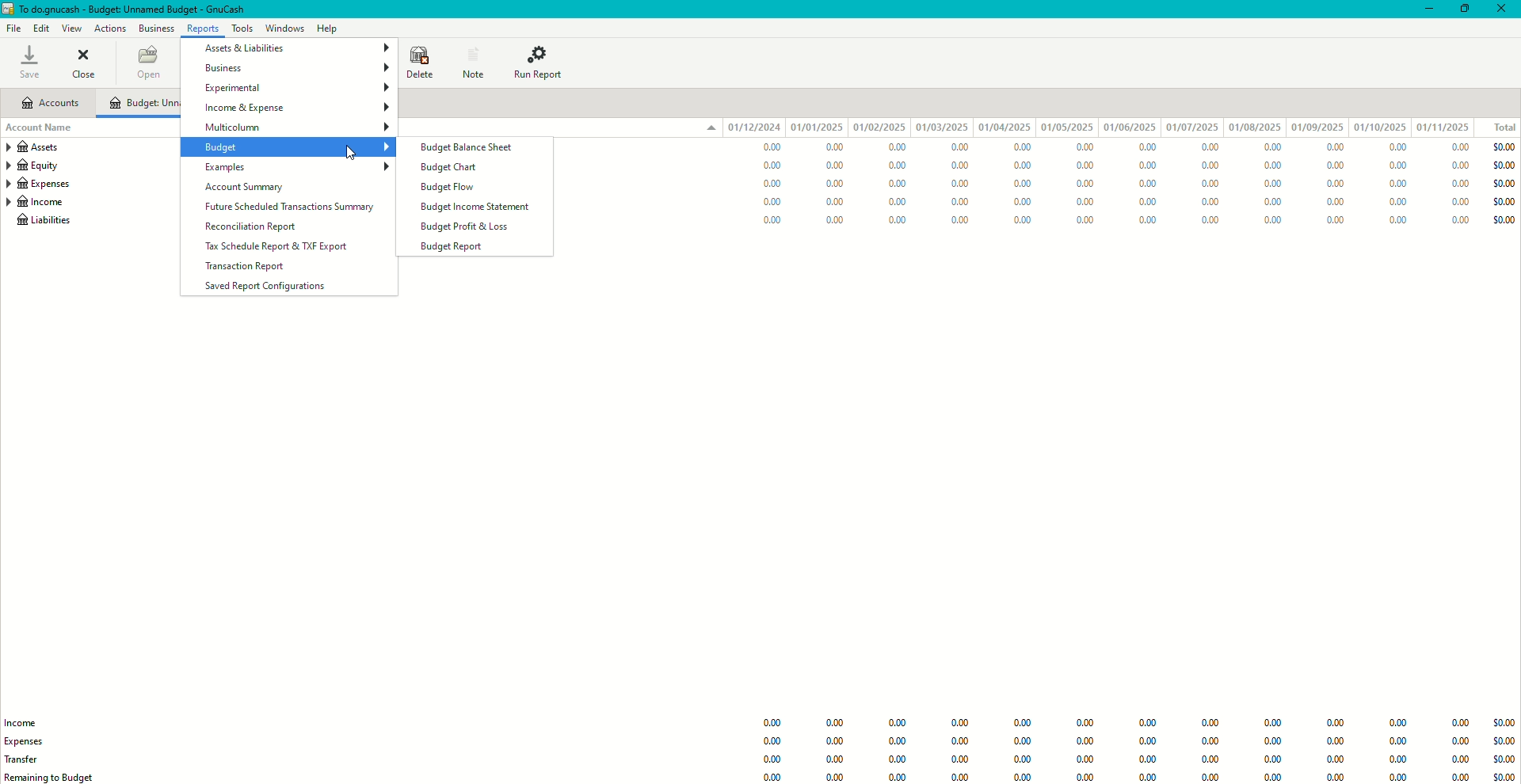 This screenshot has width=1521, height=784. I want to click on 0.00, so click(833, 147).